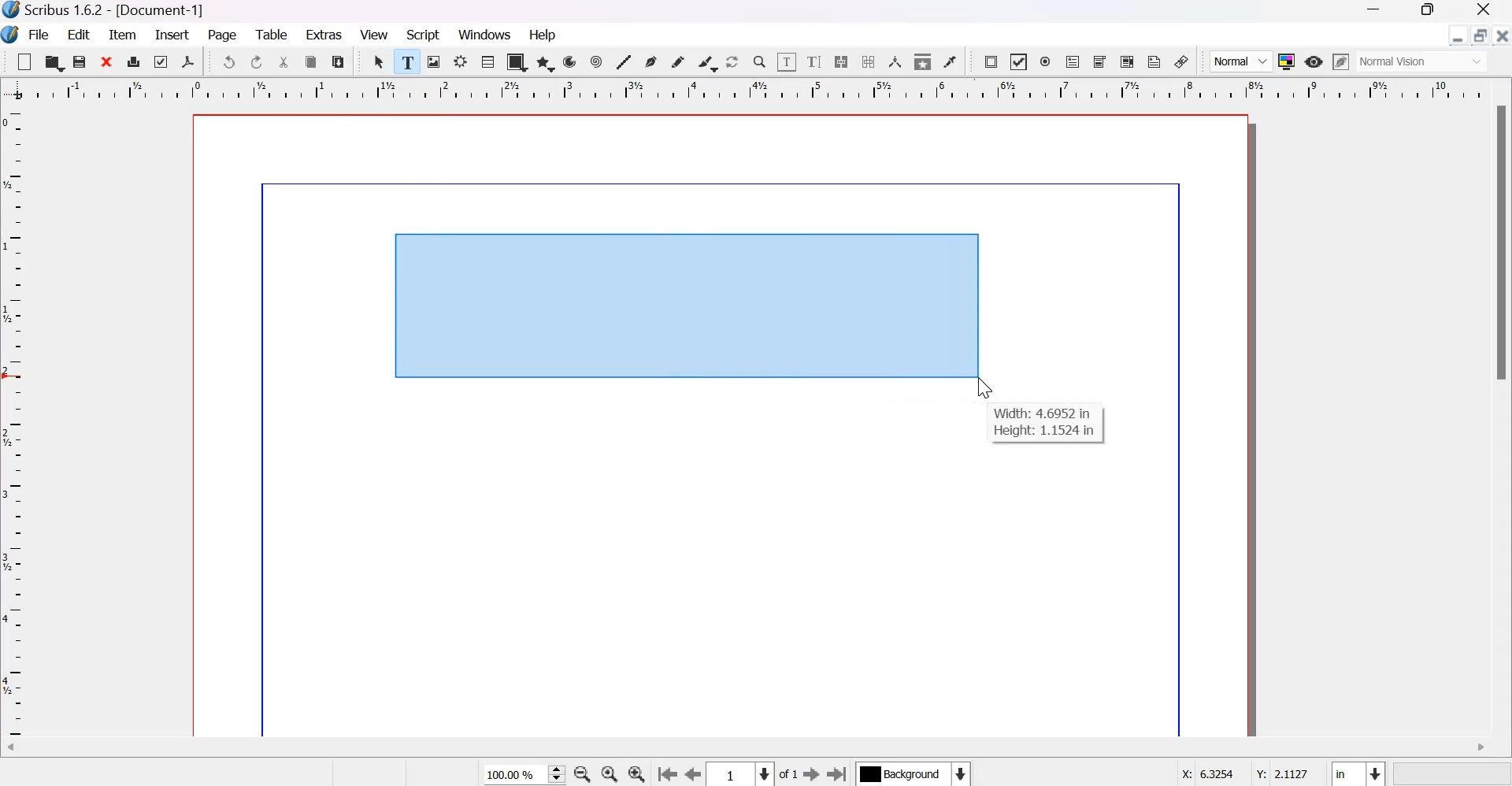 The height and width of the screenshot is (786, 1512). What do you see at coordinates (838, 773) in the screenshot?
I see `Go to the last page` at bounding box center [838, 773].